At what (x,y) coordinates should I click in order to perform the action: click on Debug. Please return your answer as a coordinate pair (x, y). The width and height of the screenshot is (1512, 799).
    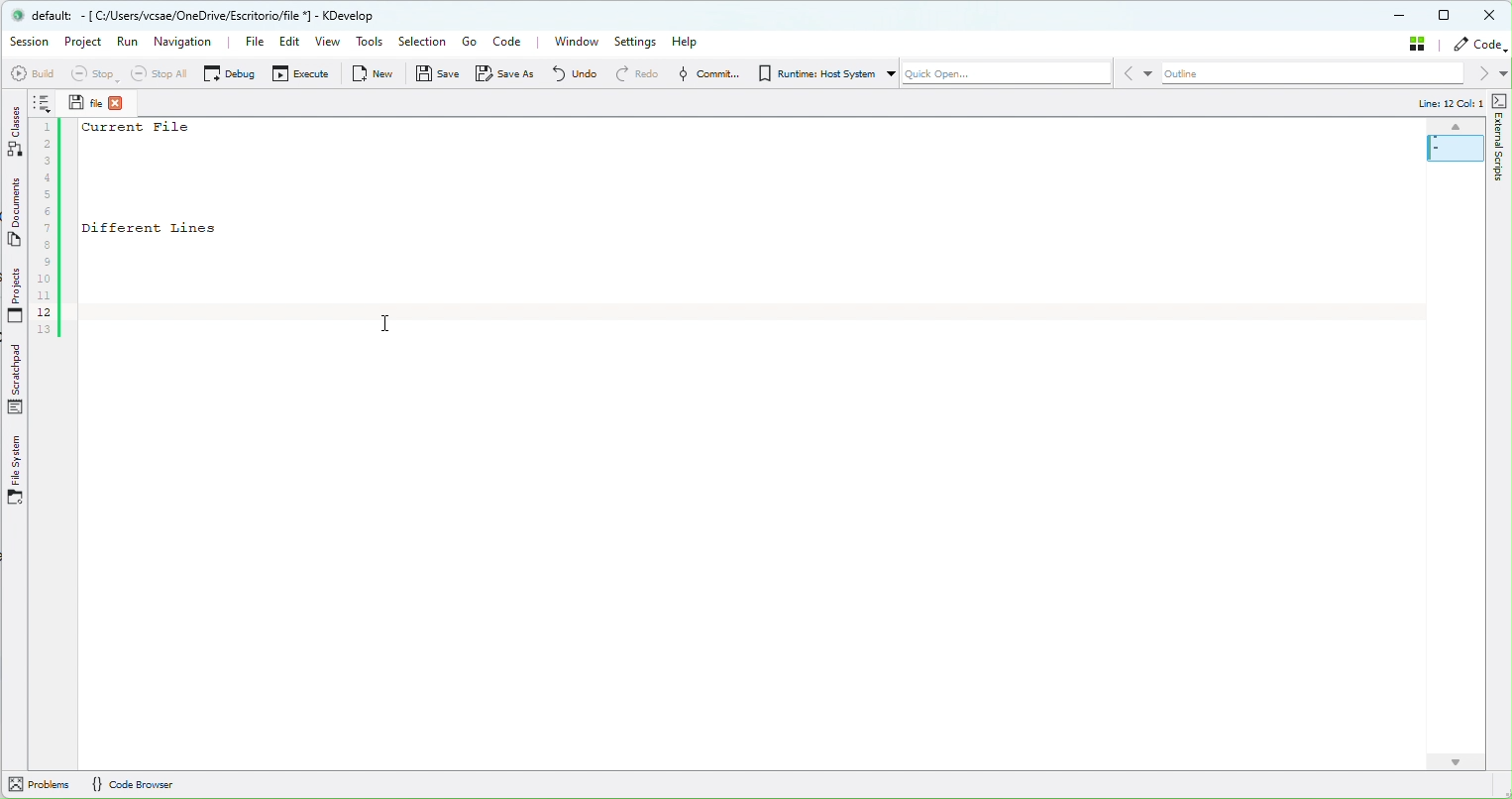
    Looking at the image, I should click on (229, 73).